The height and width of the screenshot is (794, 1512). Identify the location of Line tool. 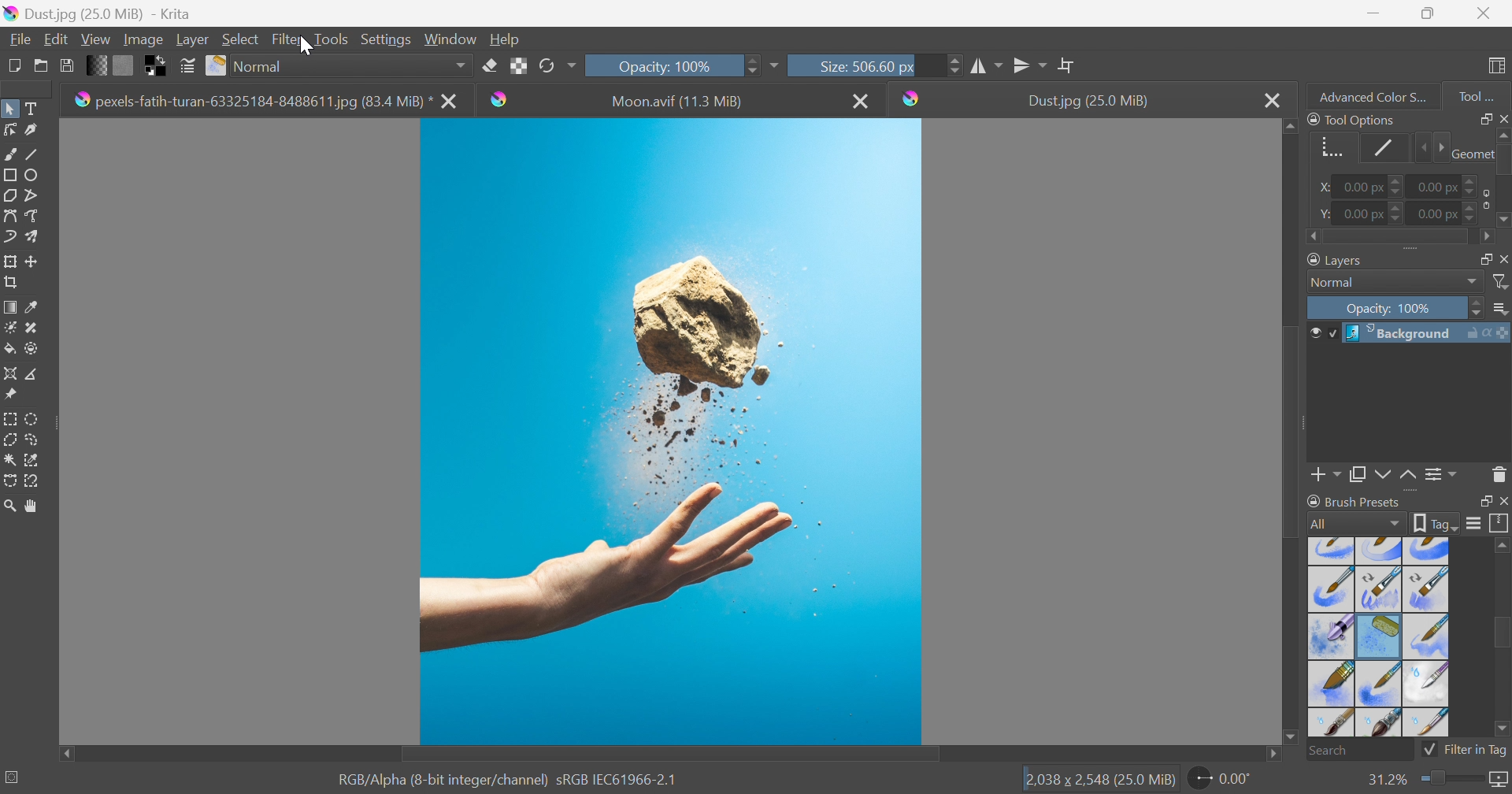
(38, 154).